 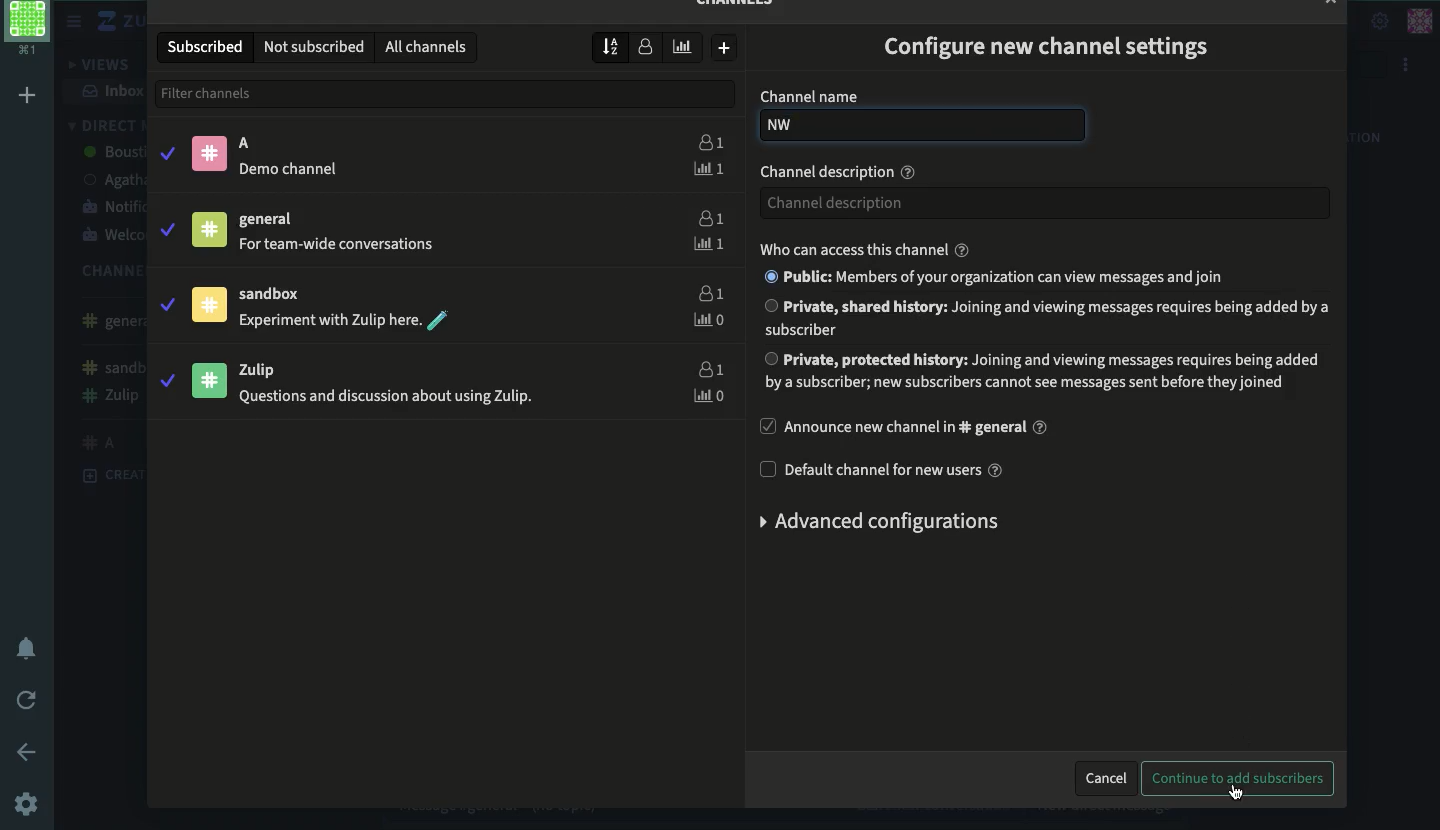 I want to click on Zulip, so click(x=267, y=371).